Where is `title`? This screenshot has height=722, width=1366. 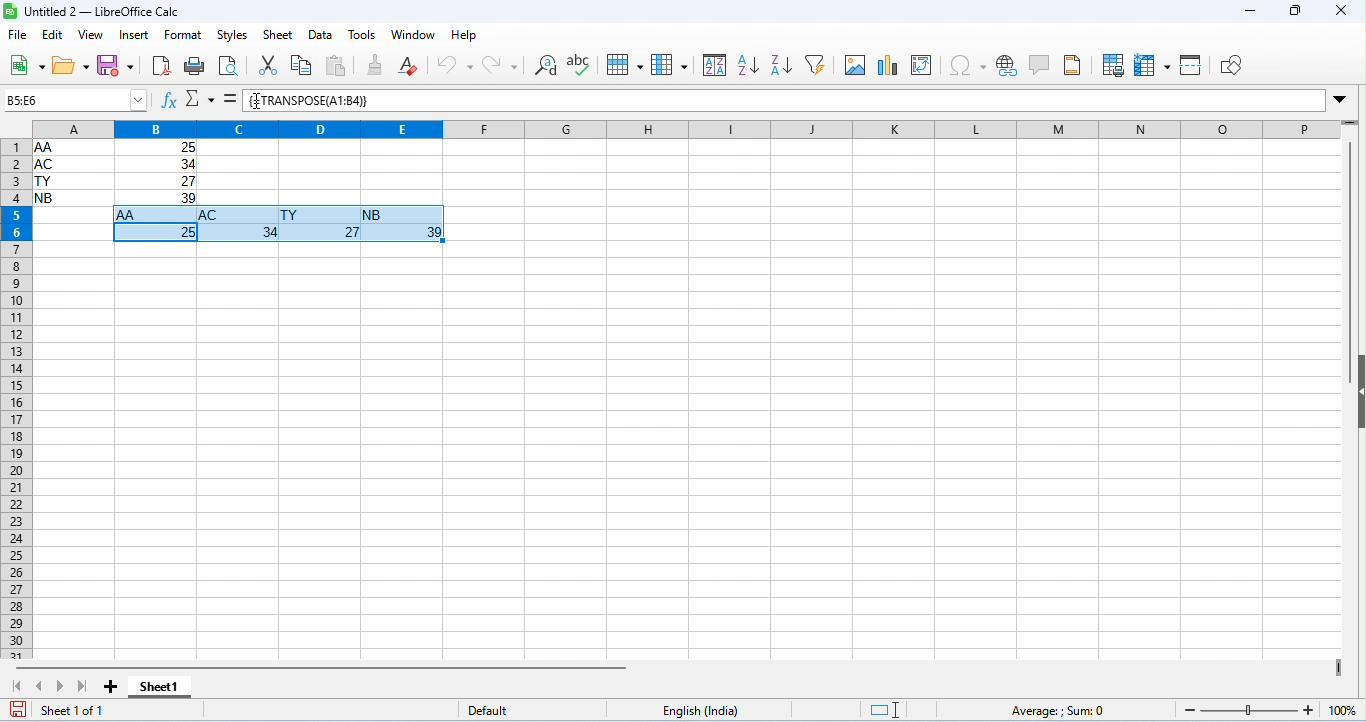
title is located at coordinates (92, 11).